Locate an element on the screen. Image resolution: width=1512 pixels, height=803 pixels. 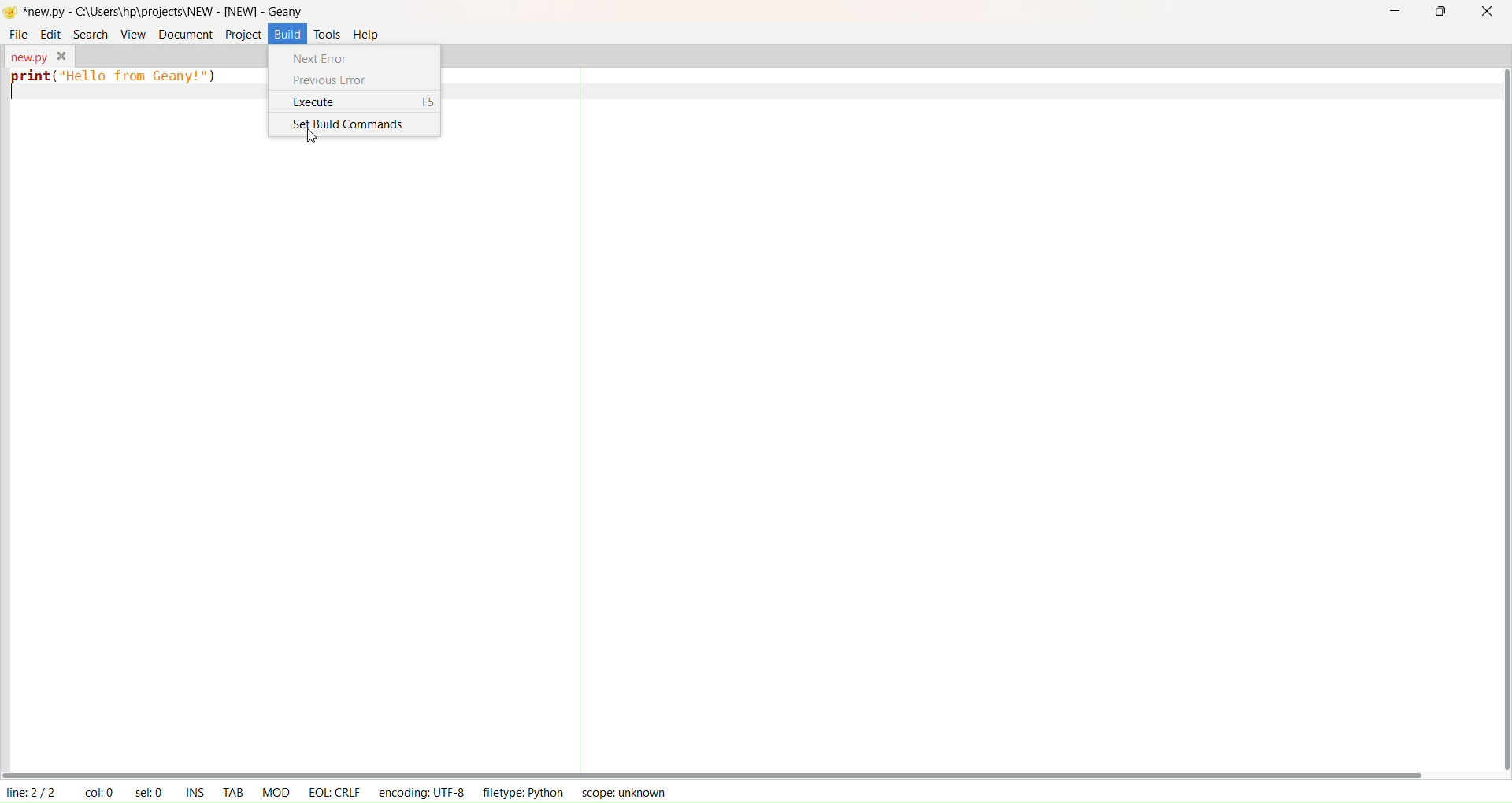
search is located at coordinates (87, 32).